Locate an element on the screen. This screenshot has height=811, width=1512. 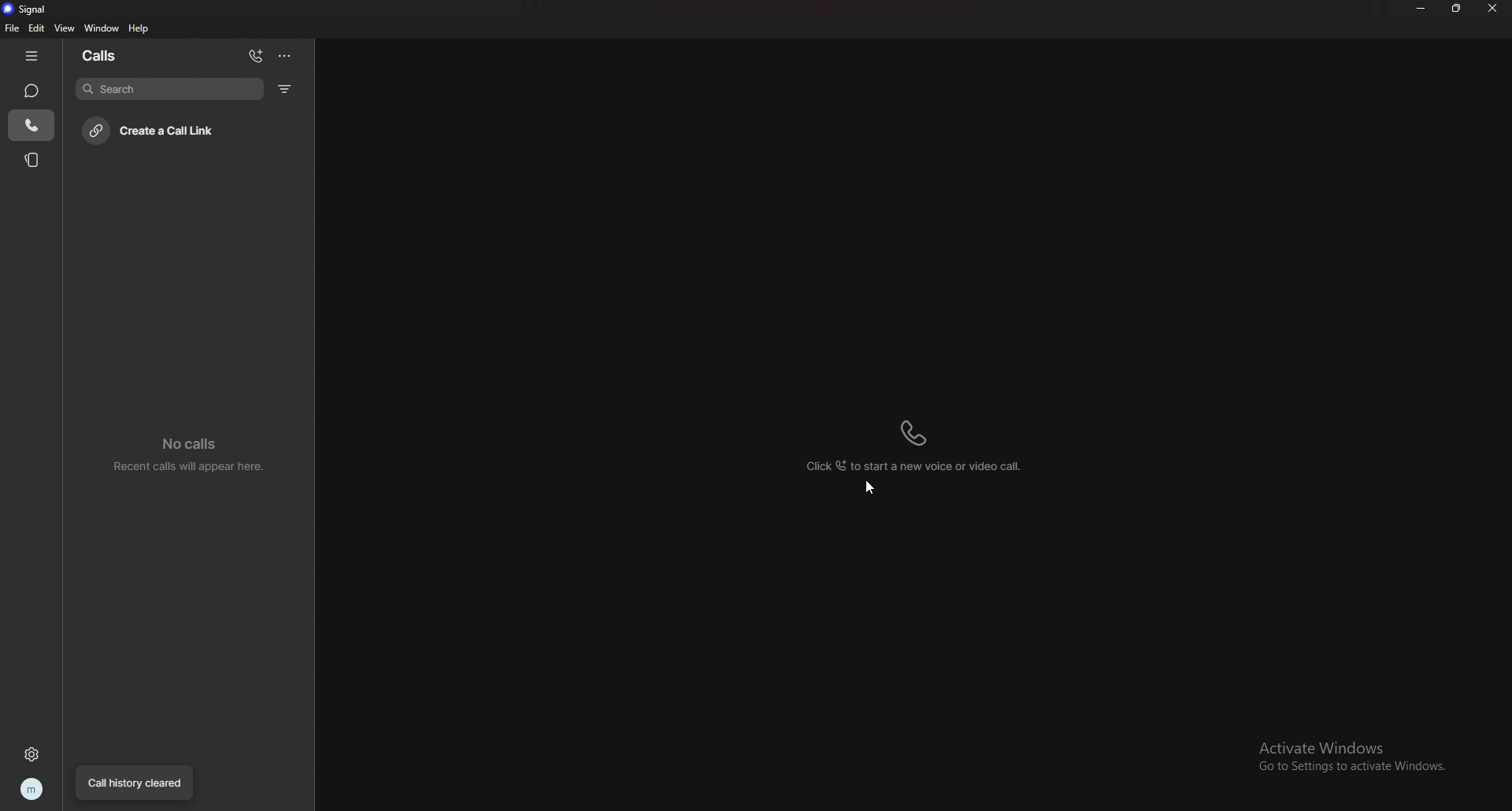
window is located at coordinates (102, 29).